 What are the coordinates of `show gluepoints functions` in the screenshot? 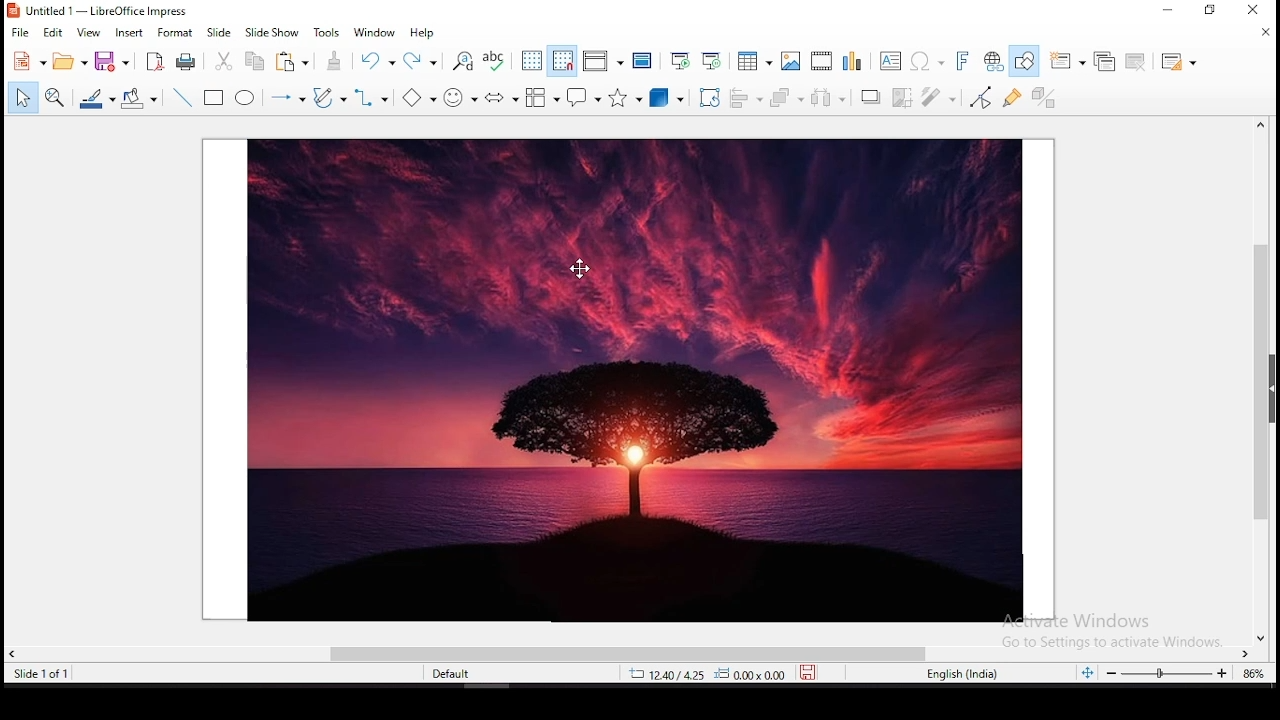 It's located at (1010, 98).